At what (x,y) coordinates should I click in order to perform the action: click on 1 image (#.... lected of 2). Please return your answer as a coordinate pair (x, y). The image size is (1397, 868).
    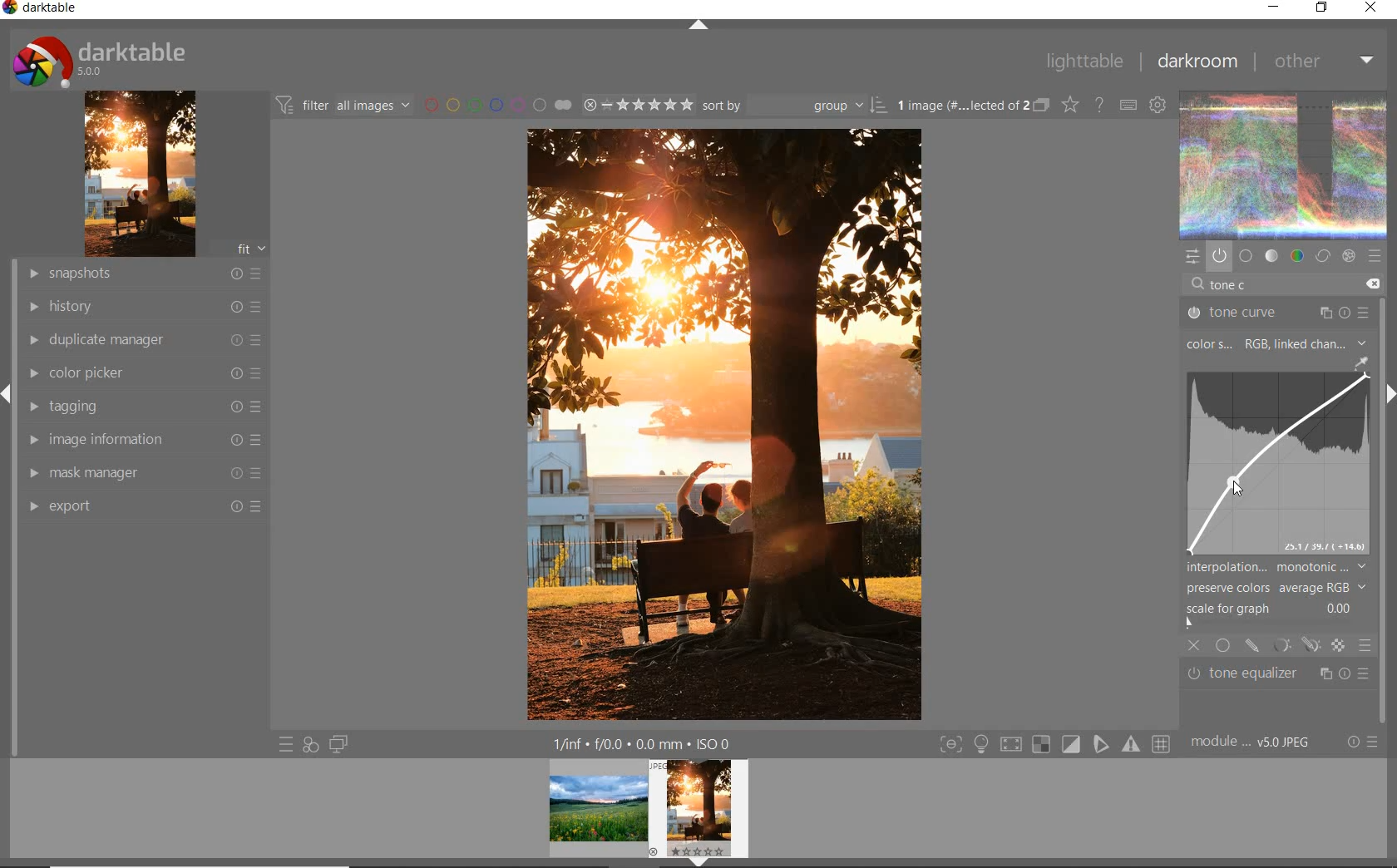
    Looking at the image, I should click on (971, 105).